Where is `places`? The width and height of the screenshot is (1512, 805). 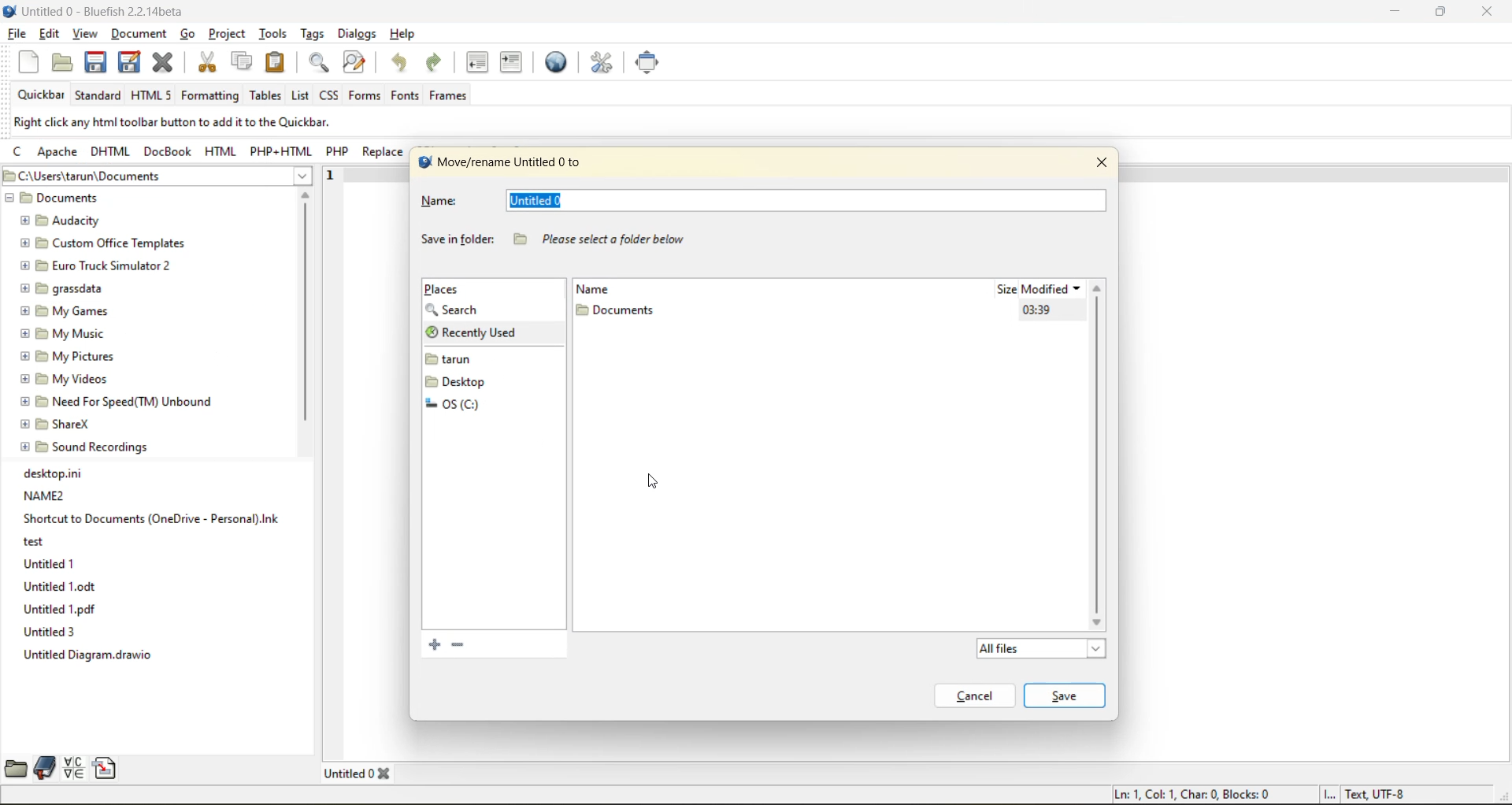 places is located at coordinates (451, 289).